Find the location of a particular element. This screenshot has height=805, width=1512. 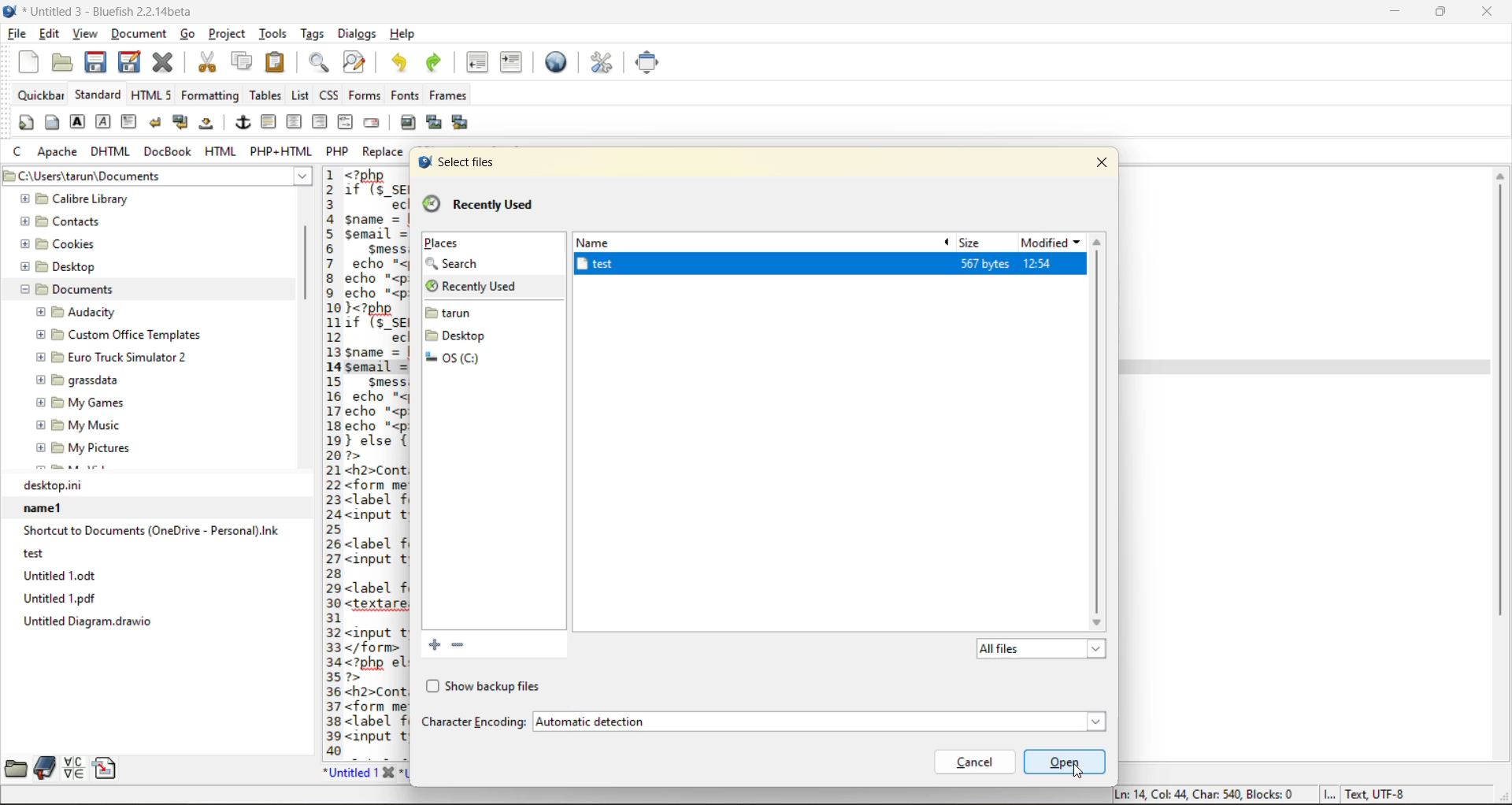

css is located at coordinates (330, 95).